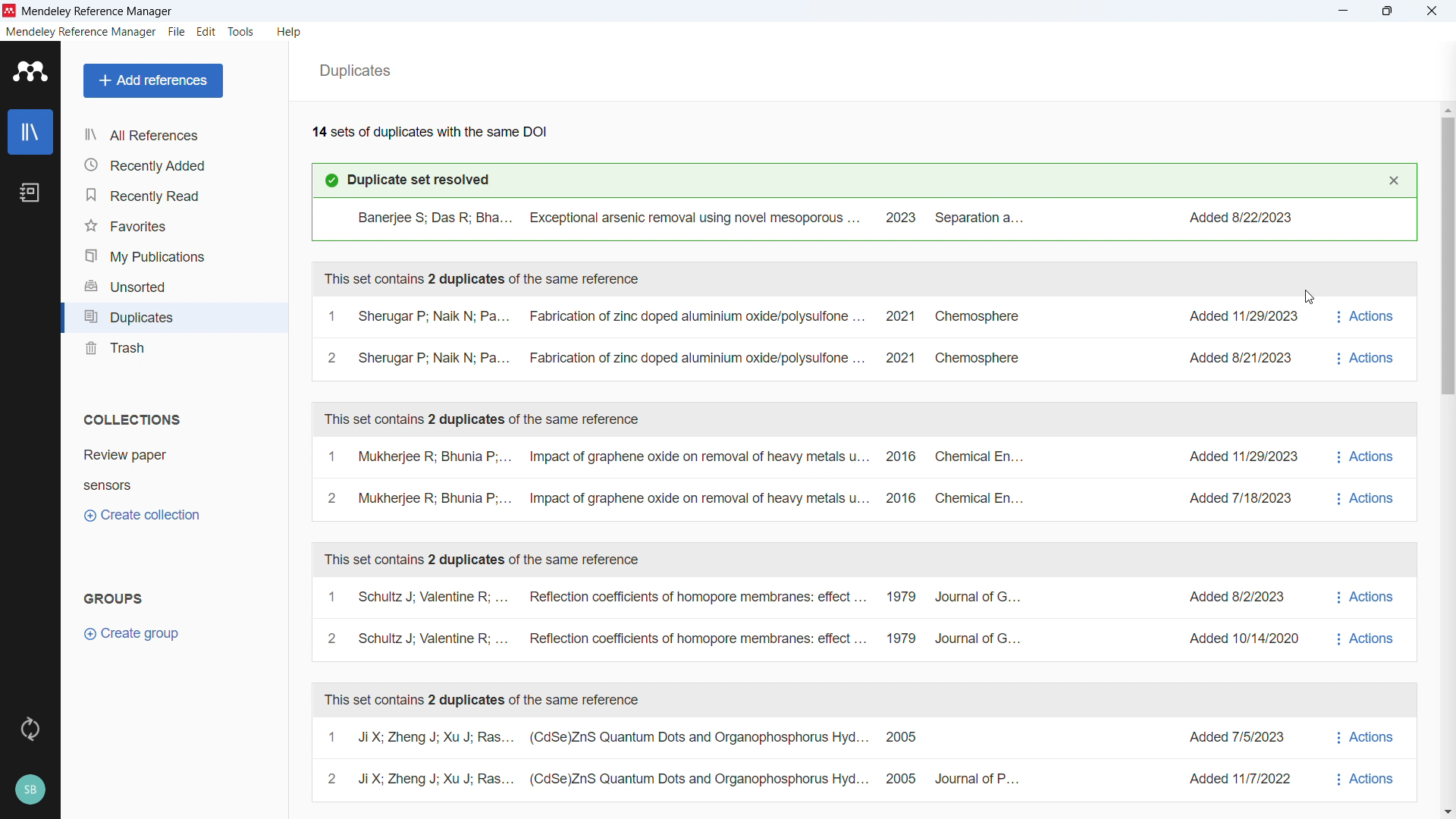 The height and width of the screenshot is (819, 1456). Describe the element at coordinates (173, 318) in the screenshot. I see `Duplicates ` at that location.